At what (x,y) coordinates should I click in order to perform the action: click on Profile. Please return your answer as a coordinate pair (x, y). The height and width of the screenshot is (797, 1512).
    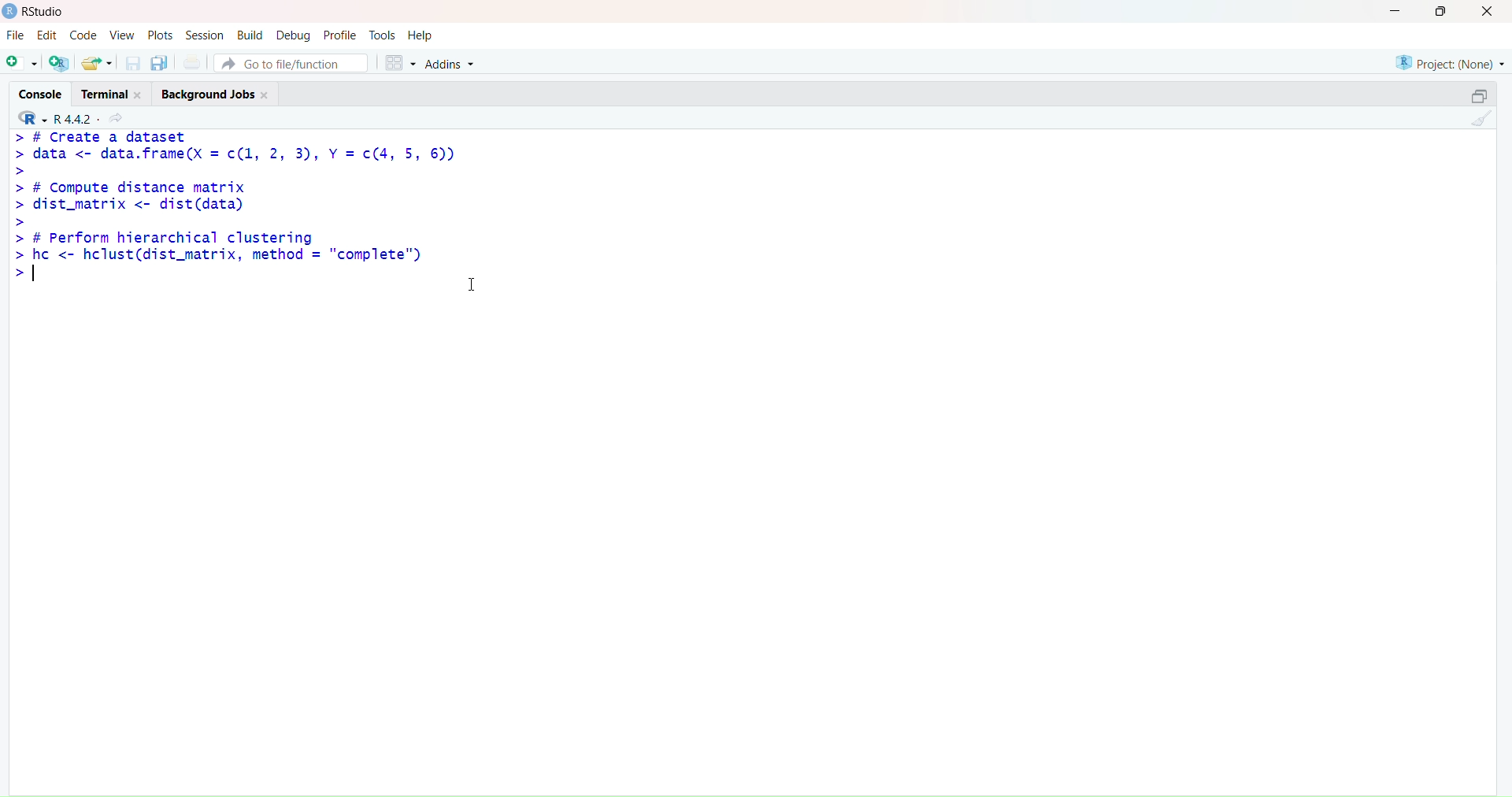
    Looking at the image, I should click on (338, 35).